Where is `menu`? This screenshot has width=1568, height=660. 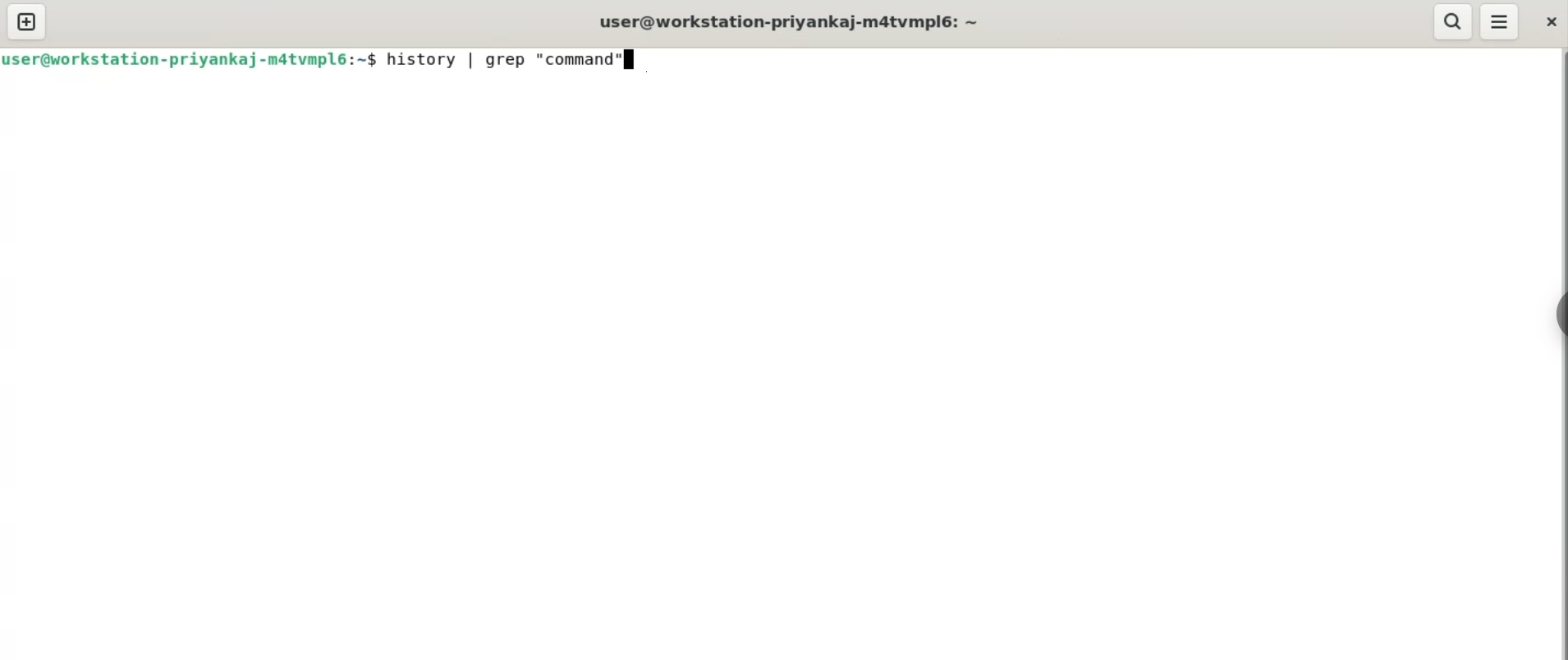
menu is located at coordinates (1498, 21).